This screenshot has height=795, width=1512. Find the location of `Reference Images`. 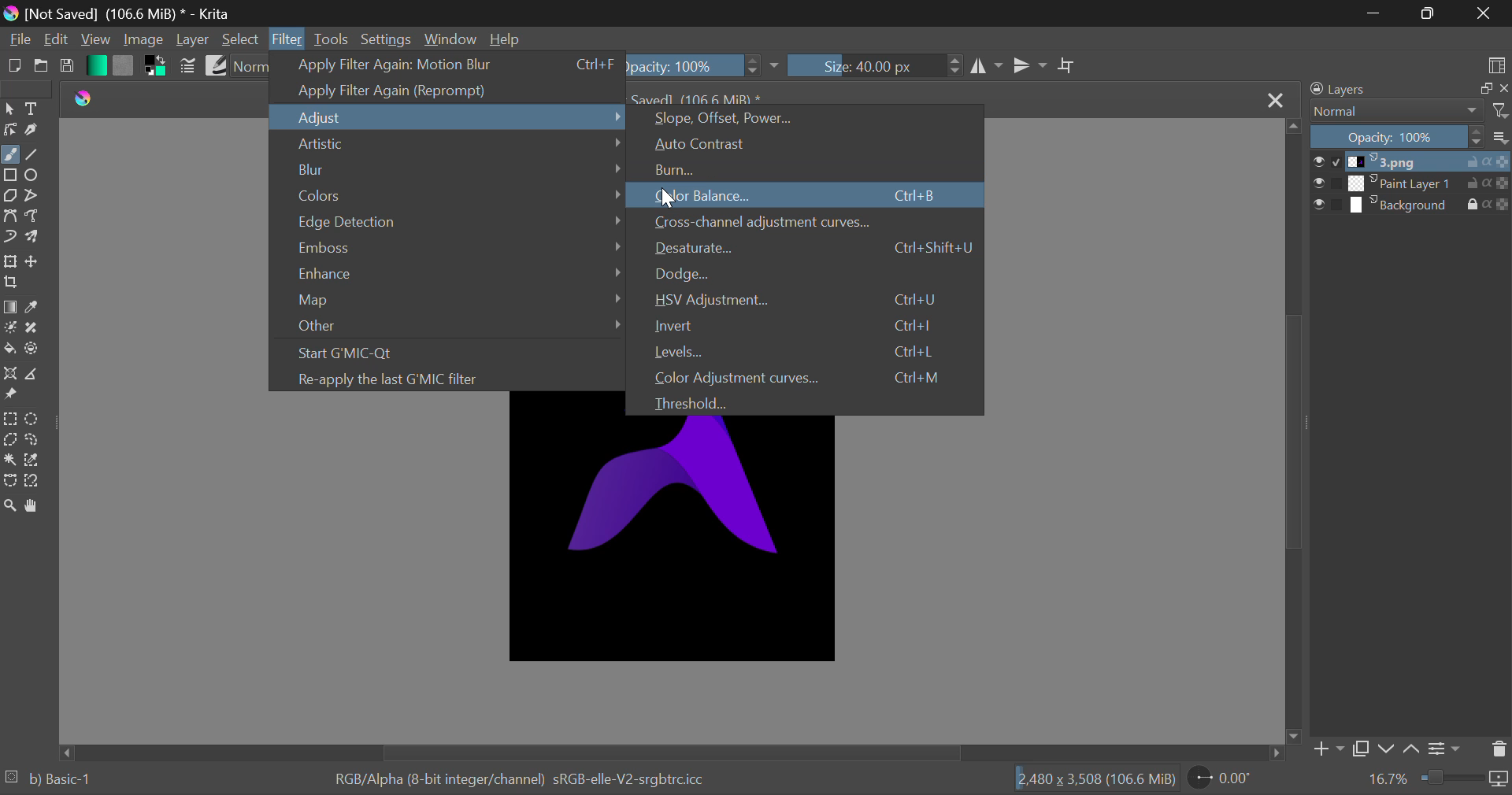

Reference Images is located at coordinates (13, 397).